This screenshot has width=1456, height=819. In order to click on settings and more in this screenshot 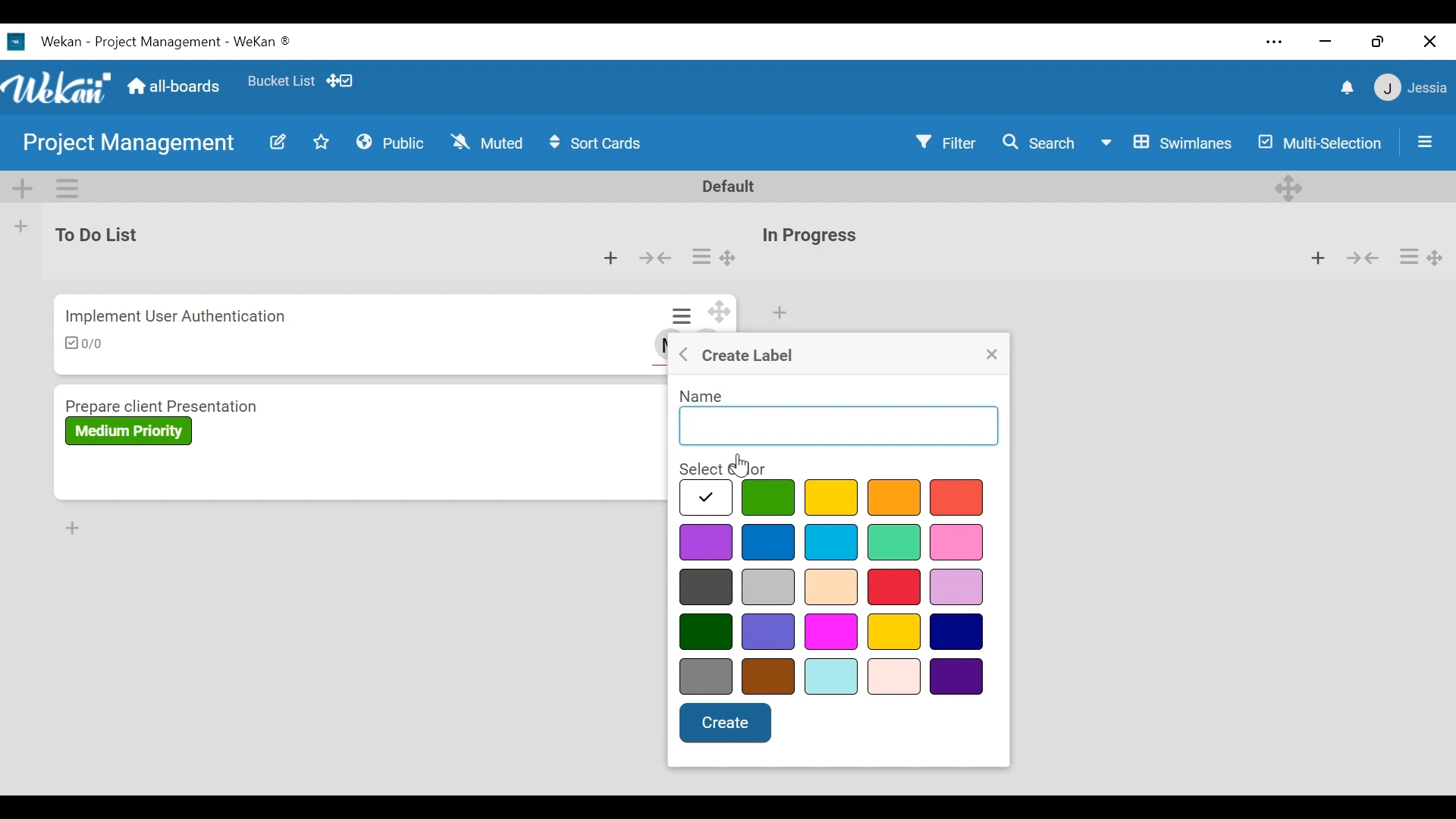, I will do `click(1277, 43)`.